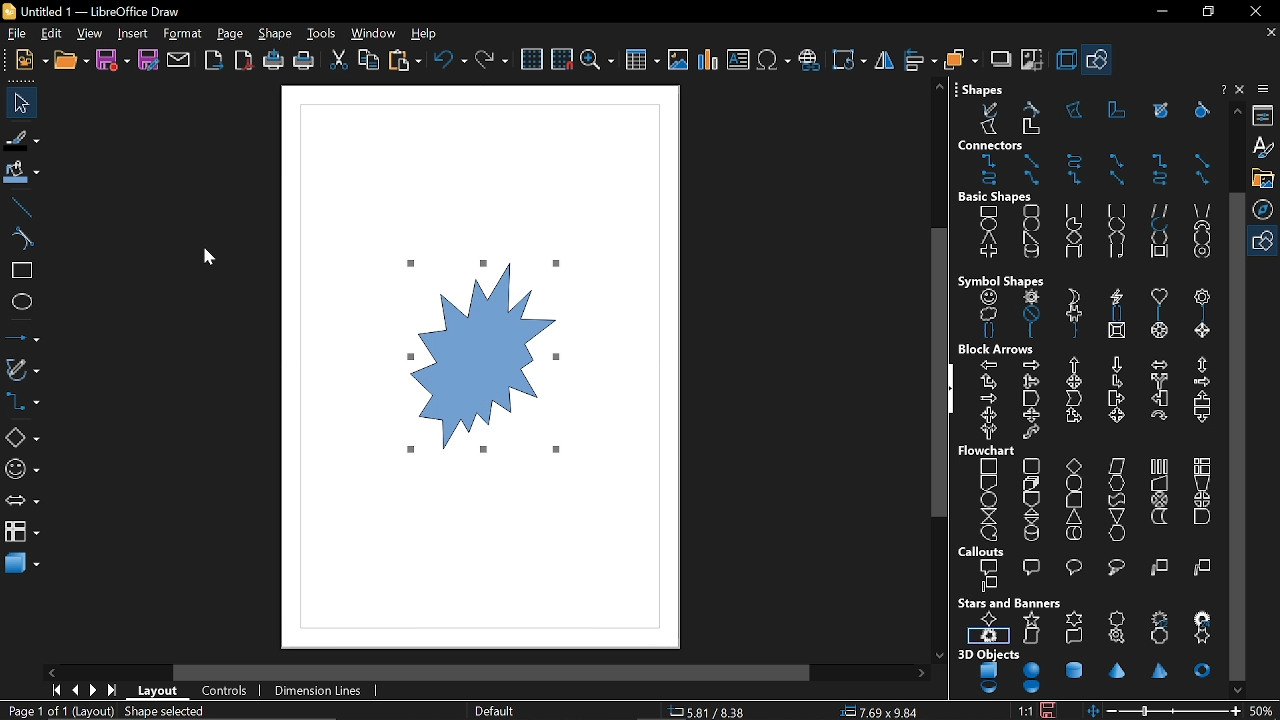 This screenshot has width=1280, height=720. I want to click on snap to grid, so click(561, 60).